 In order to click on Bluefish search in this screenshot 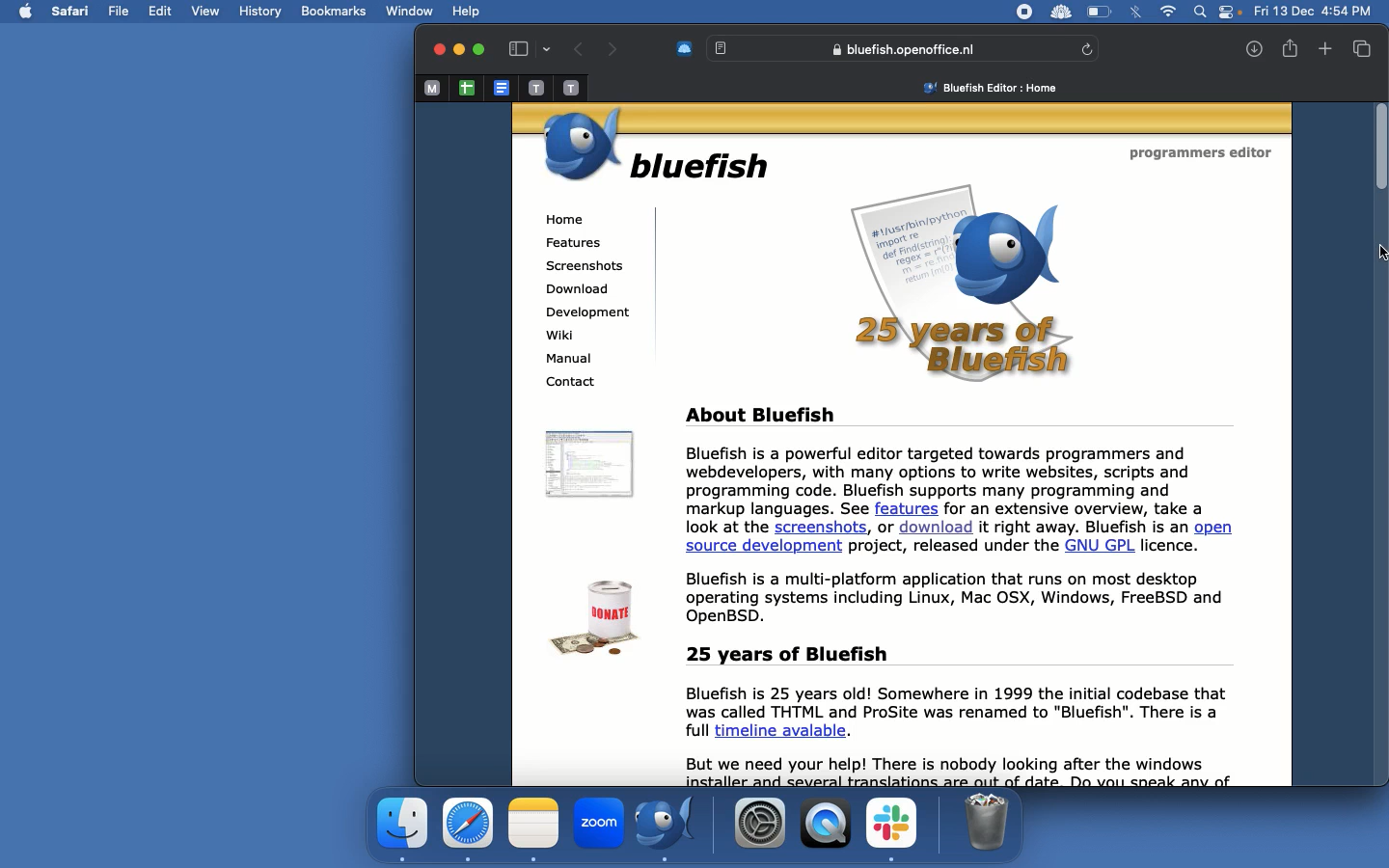, I will do `click(890, 48)`.